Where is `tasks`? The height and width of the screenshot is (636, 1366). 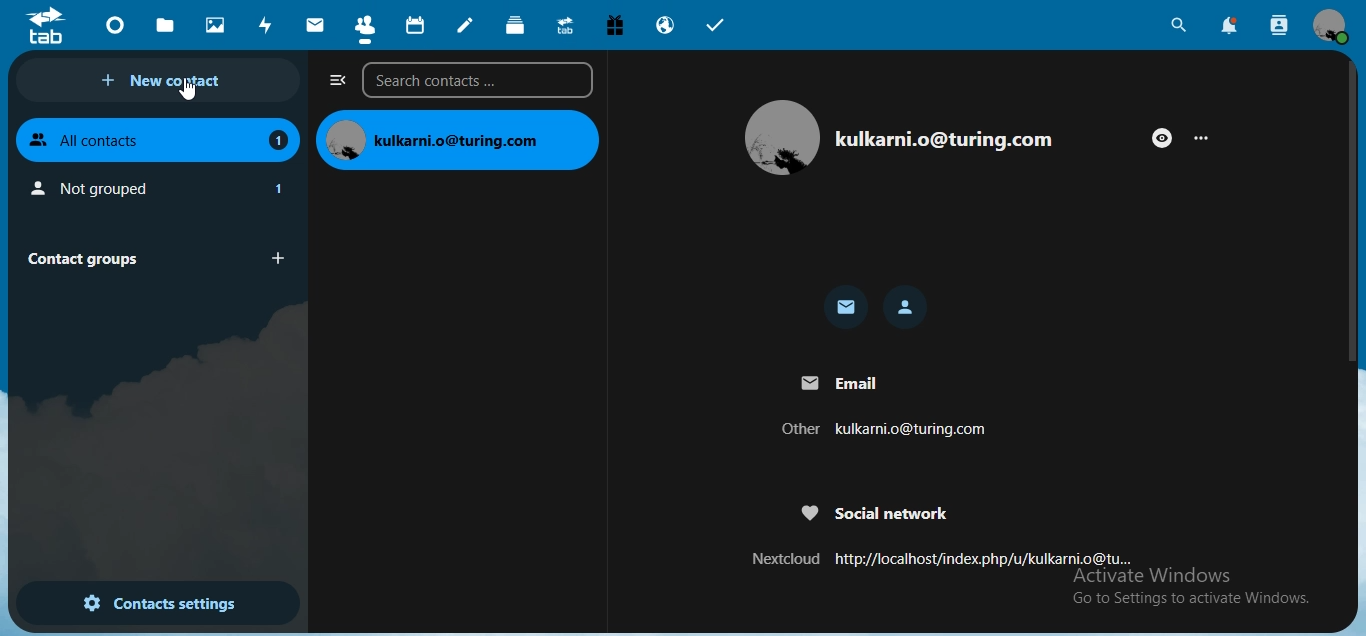
tasks is located at coordinates (716, 25).